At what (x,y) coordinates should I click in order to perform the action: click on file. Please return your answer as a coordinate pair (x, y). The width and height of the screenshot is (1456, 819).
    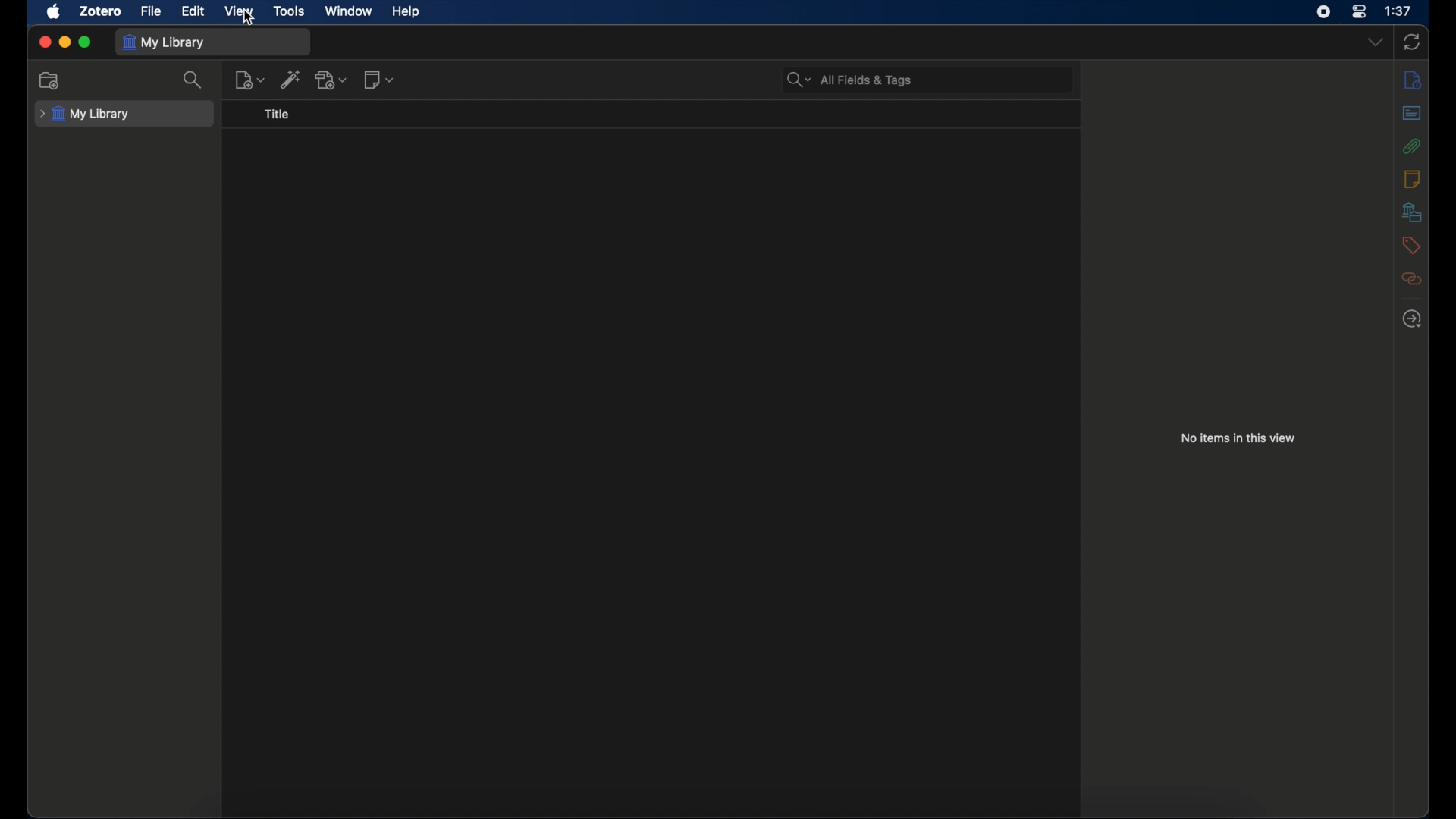
    Looking at the image, I should click on (151, 11).